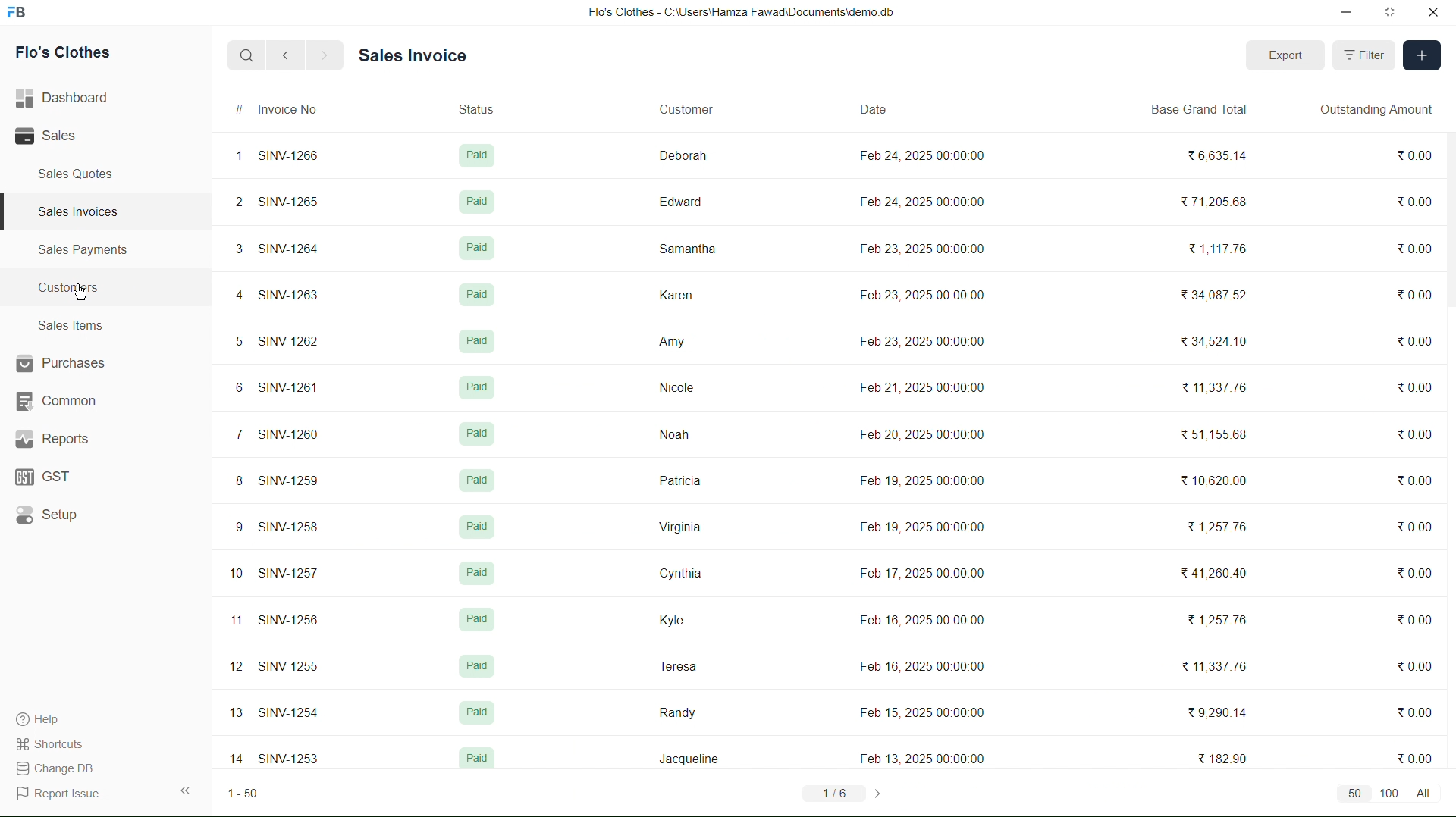 This screenshot has width=1456, height=817. What do you see at coordinates (1283, 53) in the screenshot?
I see `Export` at bounding box center [1283, 53].